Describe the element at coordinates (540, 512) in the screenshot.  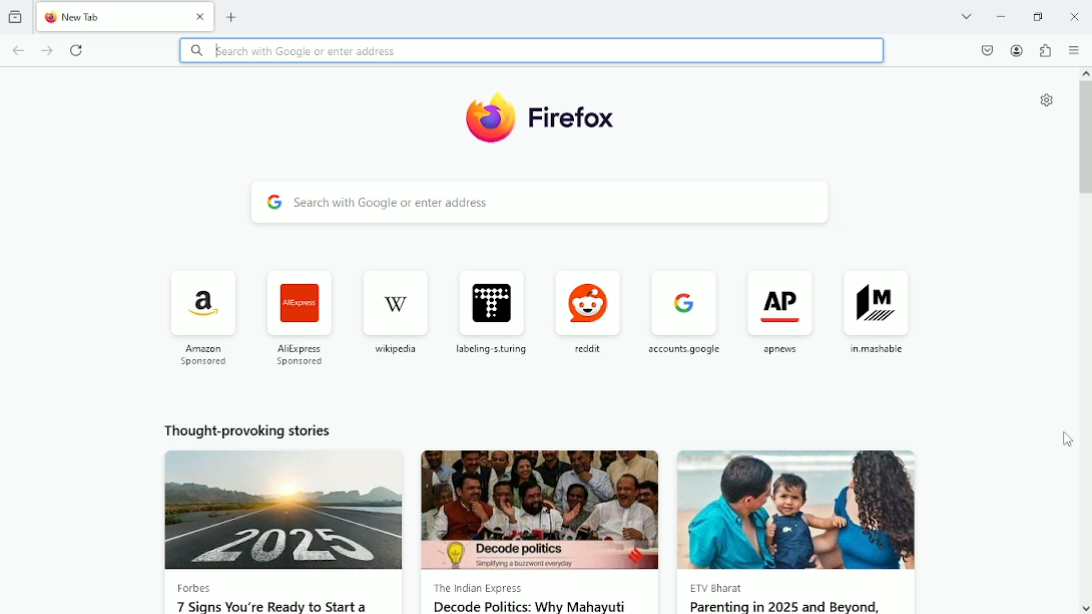
I see `the indian express image` at that location.